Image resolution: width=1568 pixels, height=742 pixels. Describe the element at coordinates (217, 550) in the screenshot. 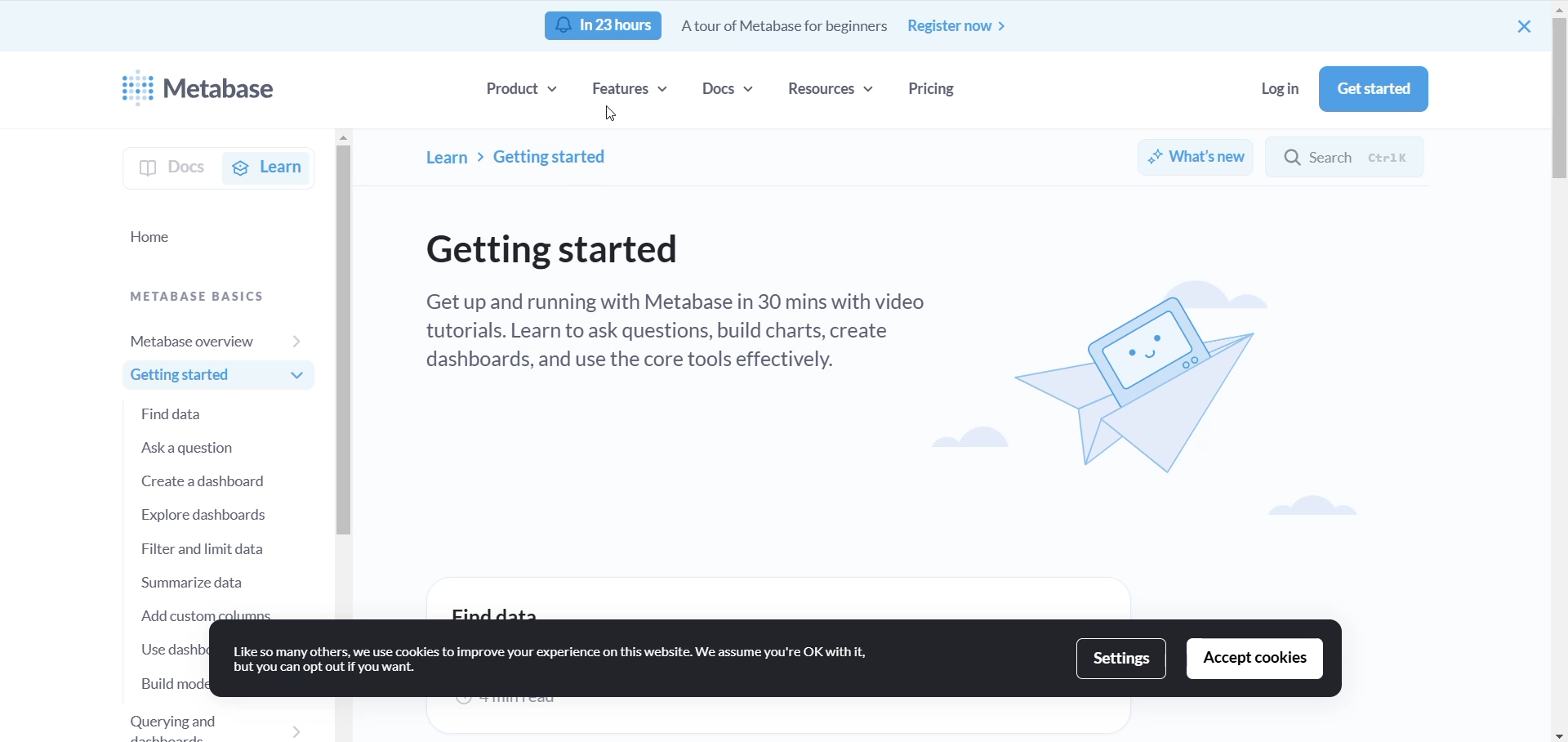

I see `filter and limit data` at that location.